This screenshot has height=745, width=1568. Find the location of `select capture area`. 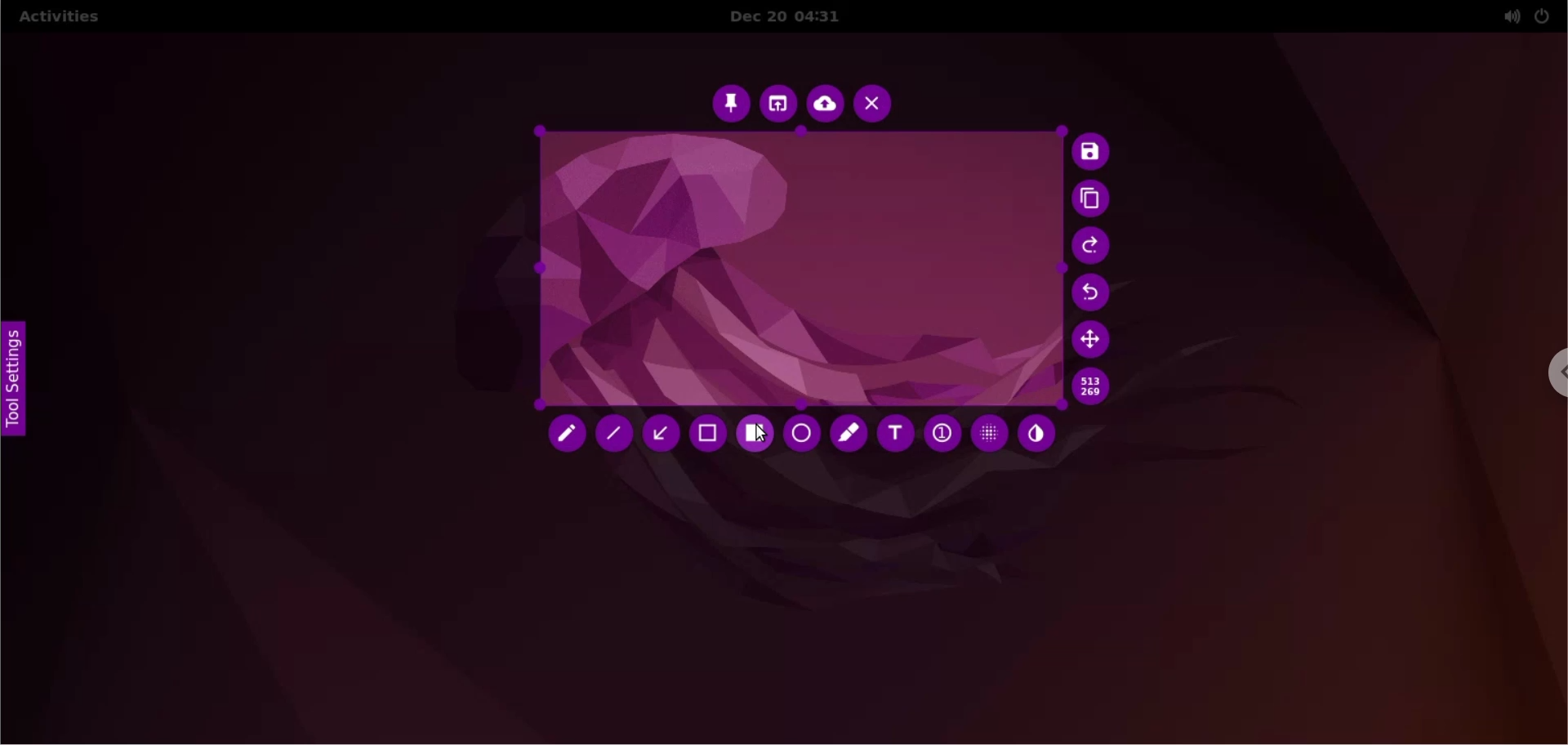

select capture area is located at coordinates (796, 268).